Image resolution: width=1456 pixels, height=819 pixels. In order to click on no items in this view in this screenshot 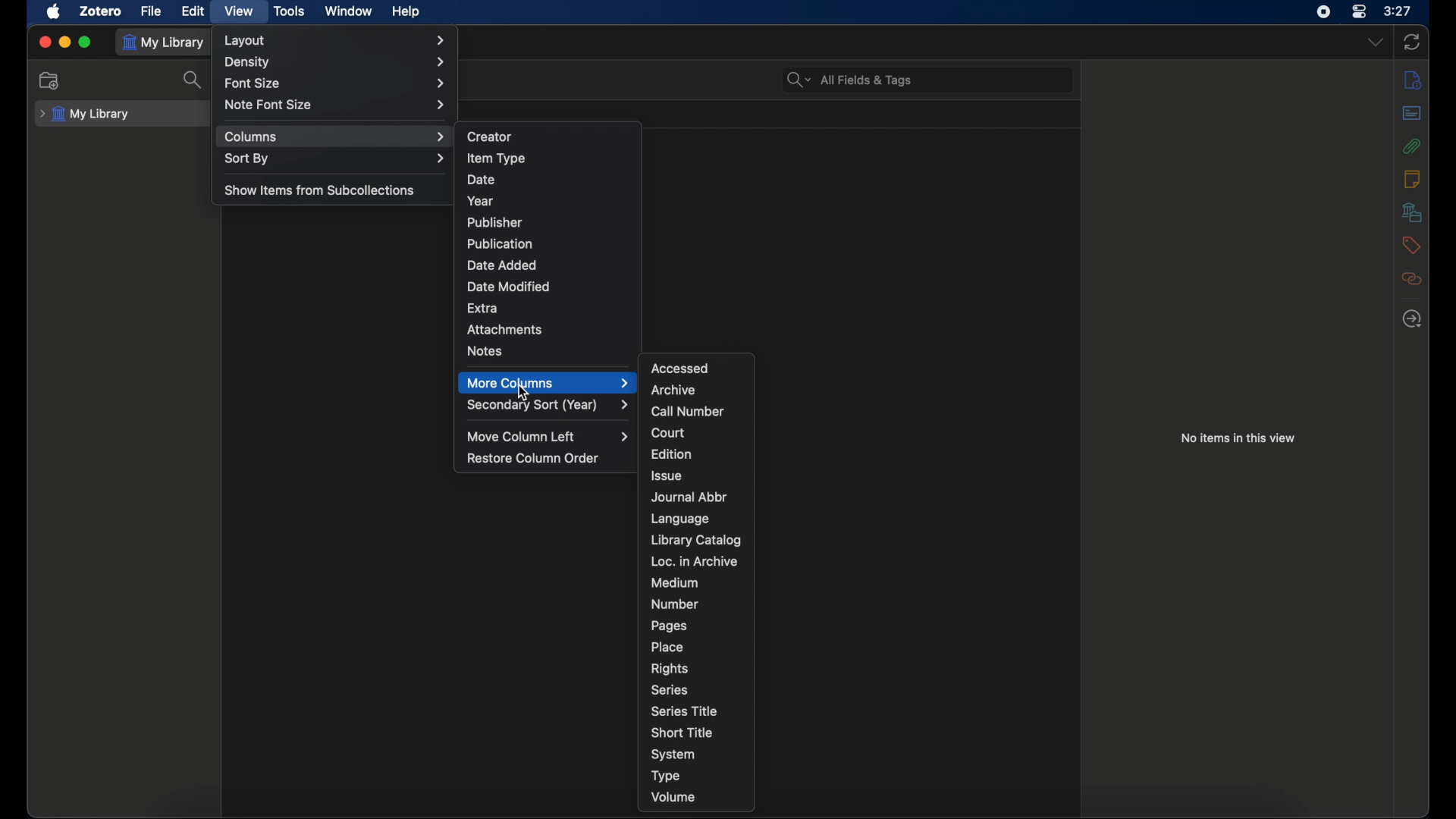, I will do `click(1238, 438)`.